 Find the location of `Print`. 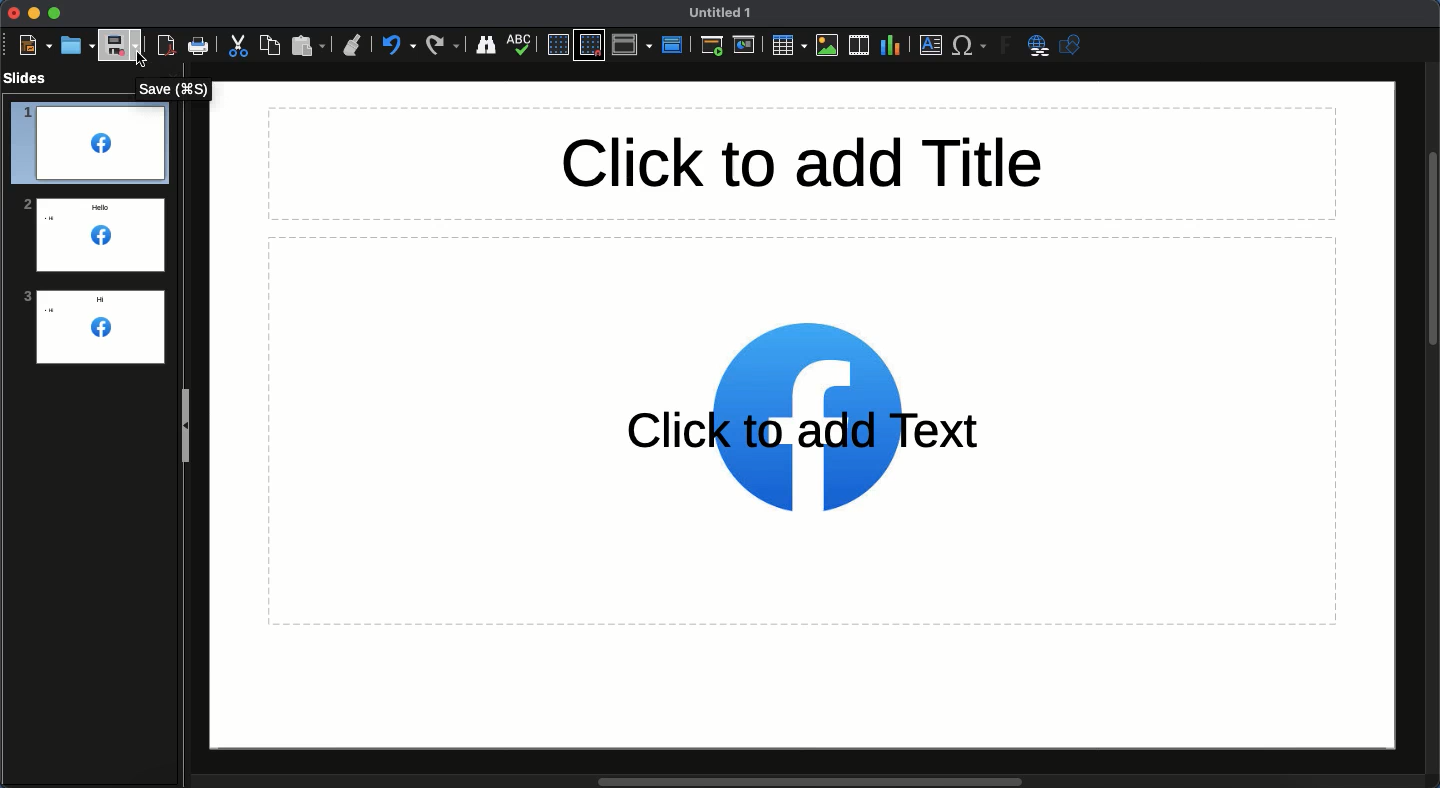

Print is located at coordinates (199, 46).